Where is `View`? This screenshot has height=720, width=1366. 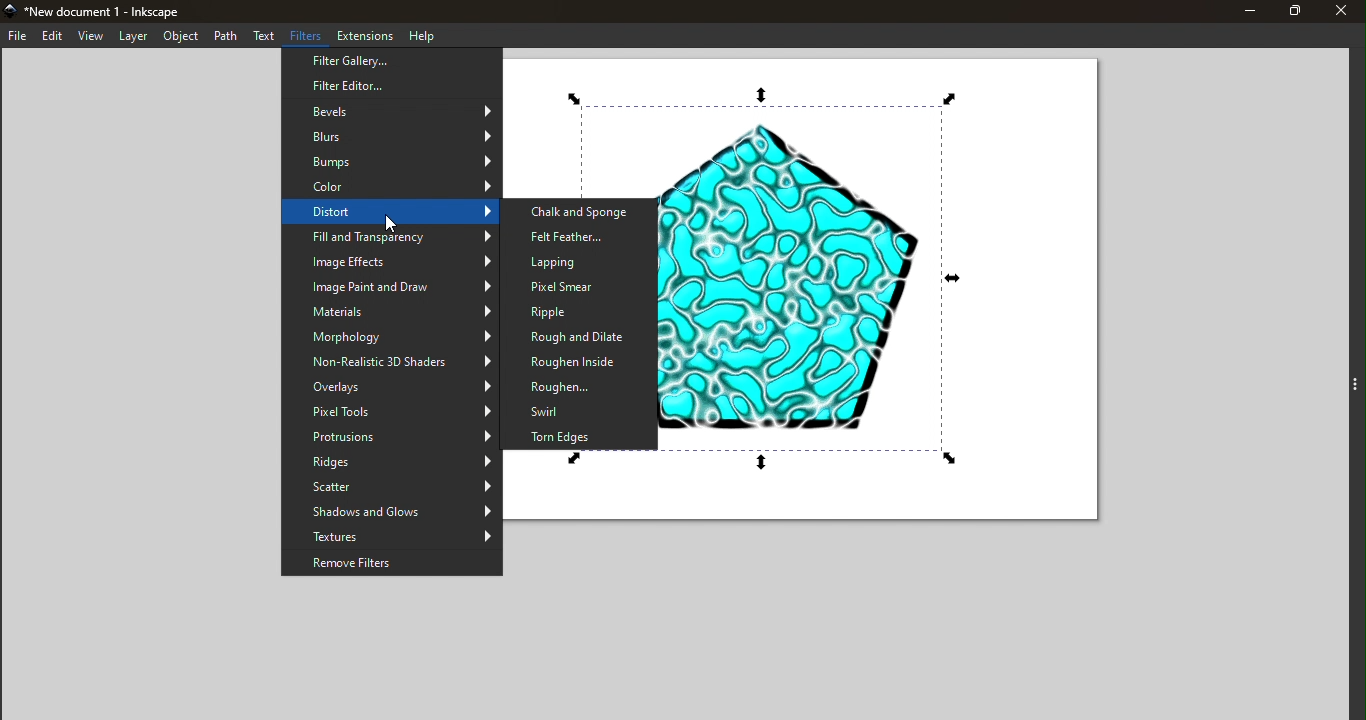
View is located at coordinates (91, 37).